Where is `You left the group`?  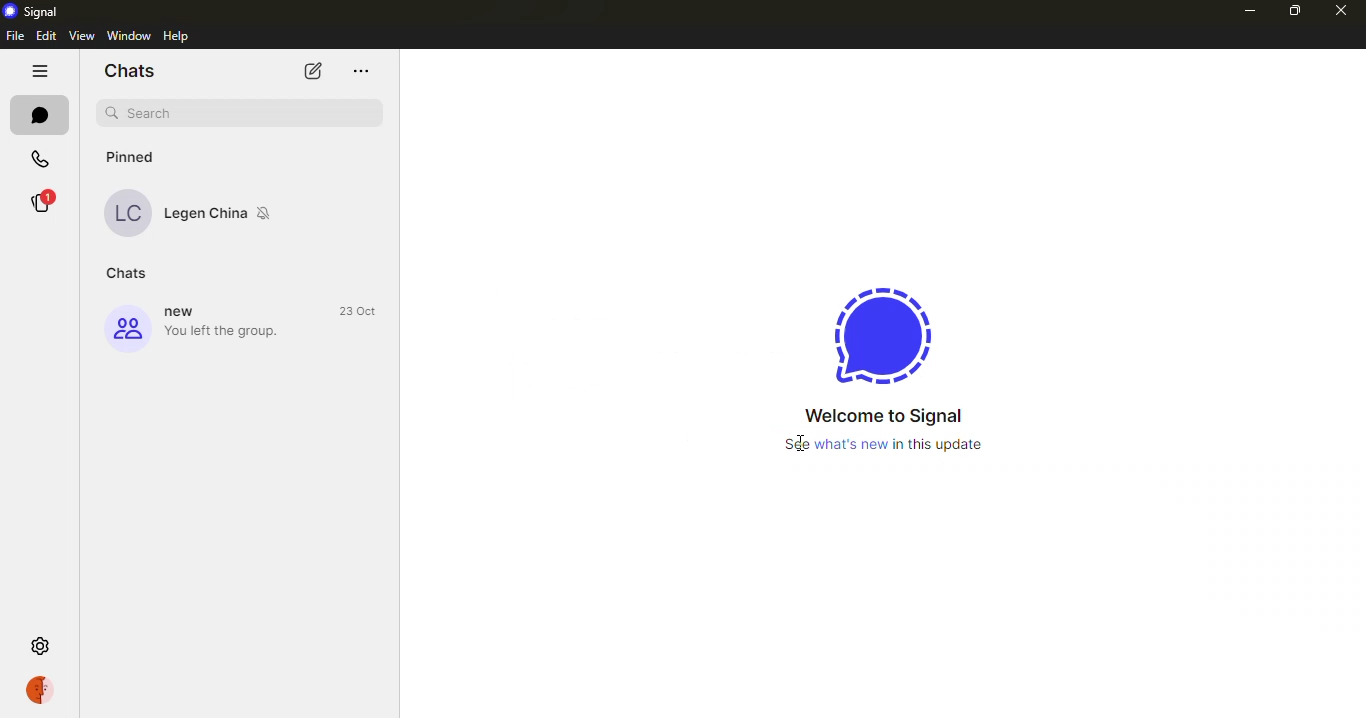 You left the group is located at coordinates (227, 332).